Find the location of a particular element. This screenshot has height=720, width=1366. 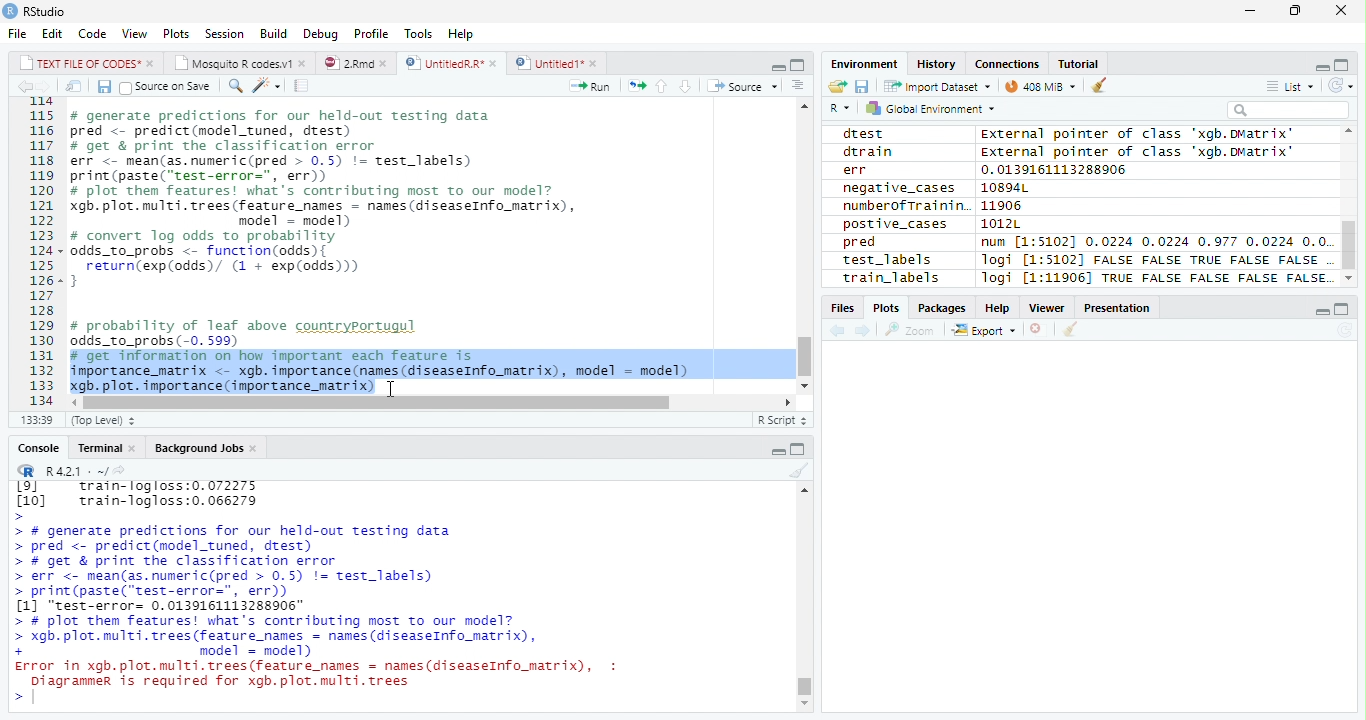

train_labels is located at coordinates (889, 279).